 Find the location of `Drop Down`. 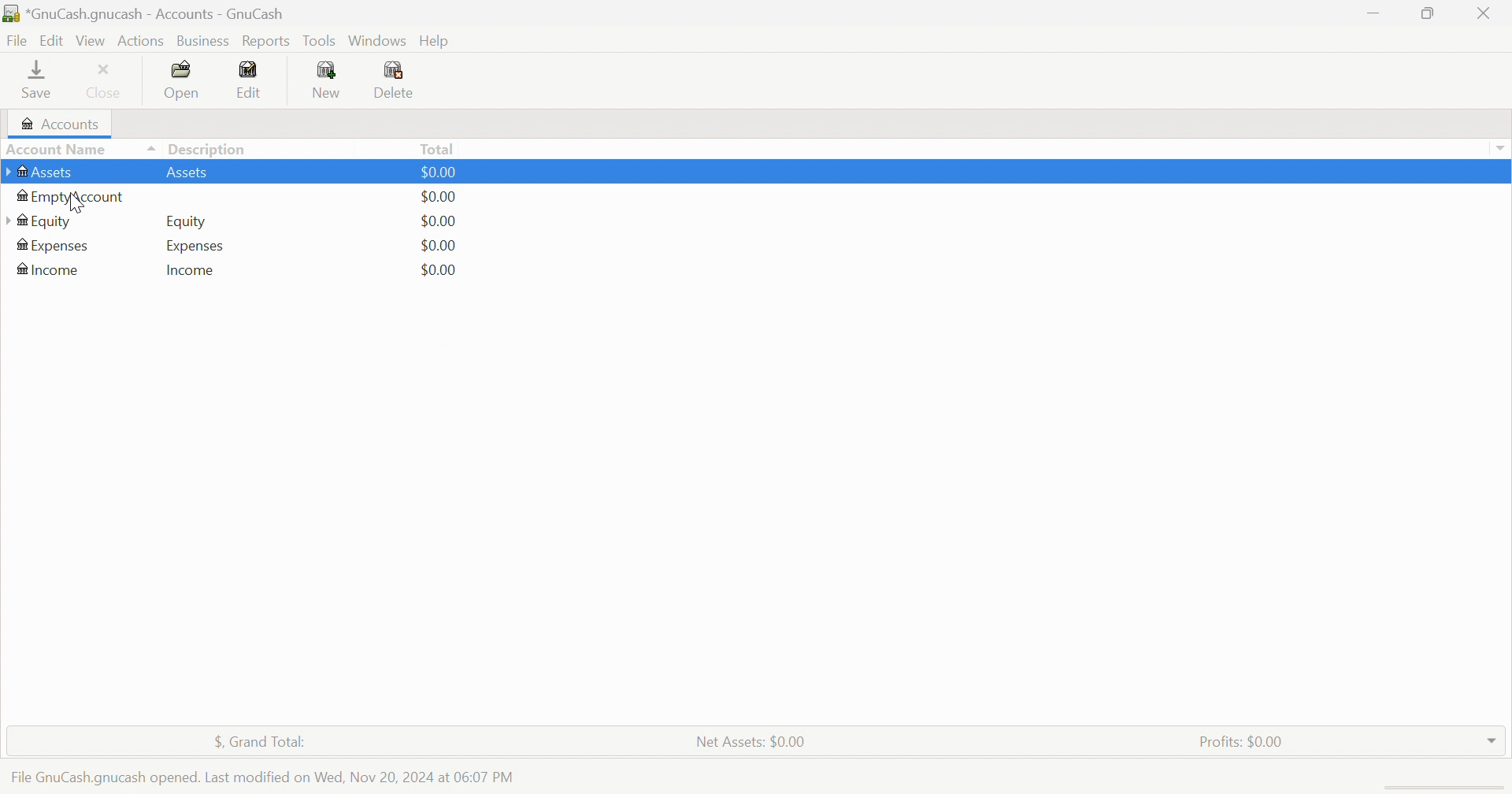

Drop Down is located at coordinates (1497, 147).